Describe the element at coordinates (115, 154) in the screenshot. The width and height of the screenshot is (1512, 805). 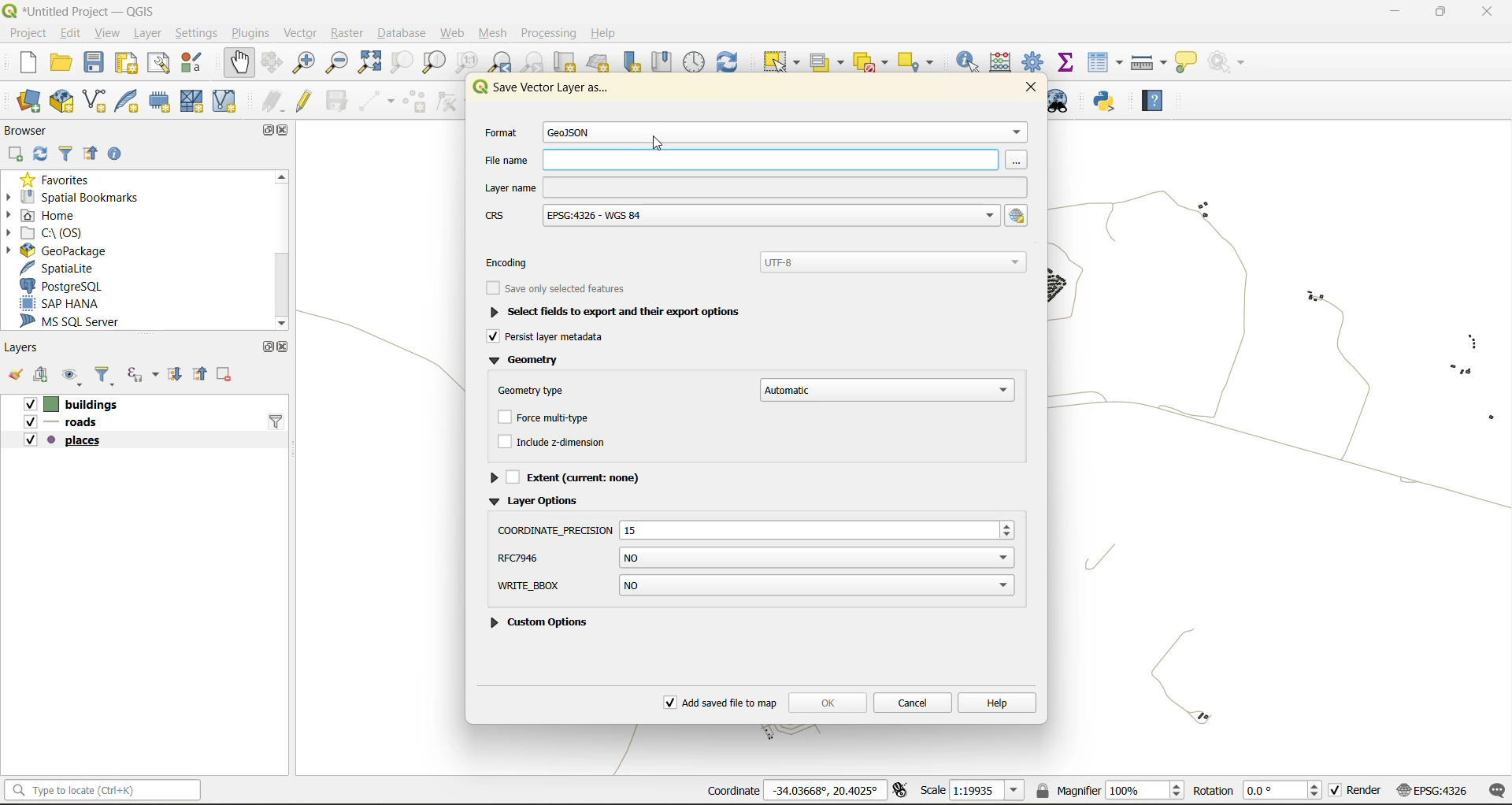
I see `enable properties` at that location.